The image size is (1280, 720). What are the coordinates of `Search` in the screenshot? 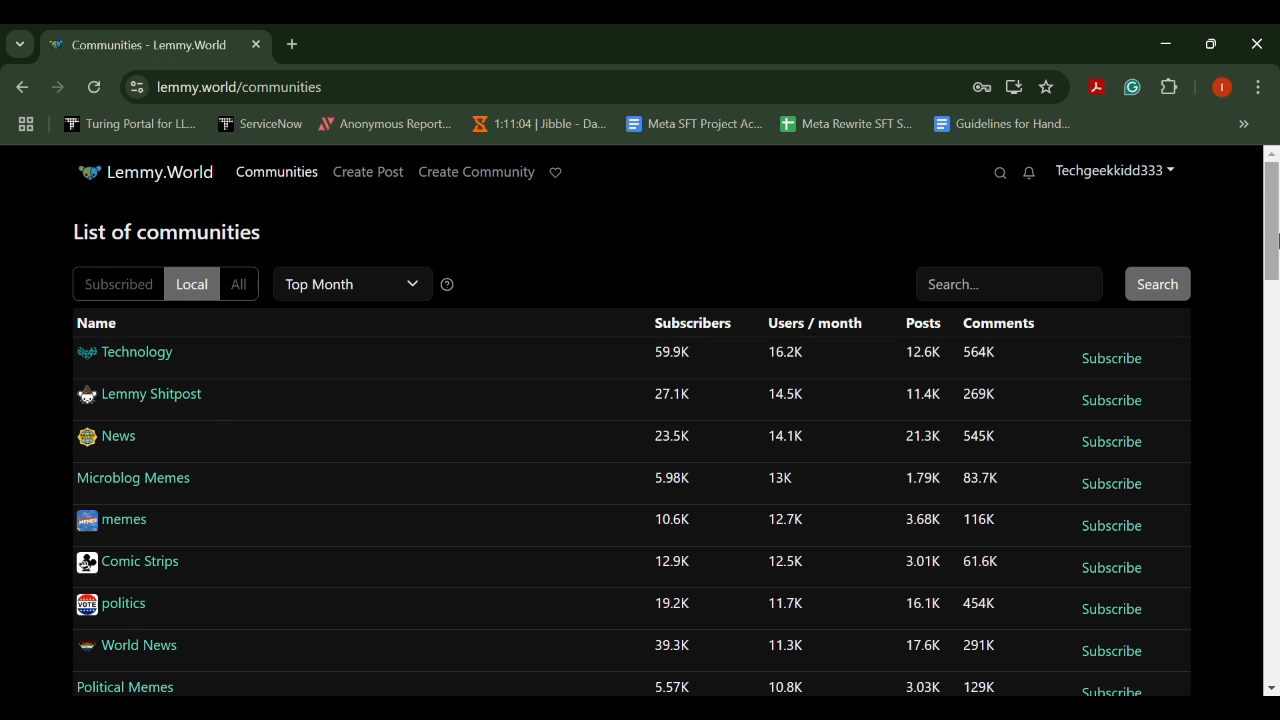 It's located at (1013, 282).